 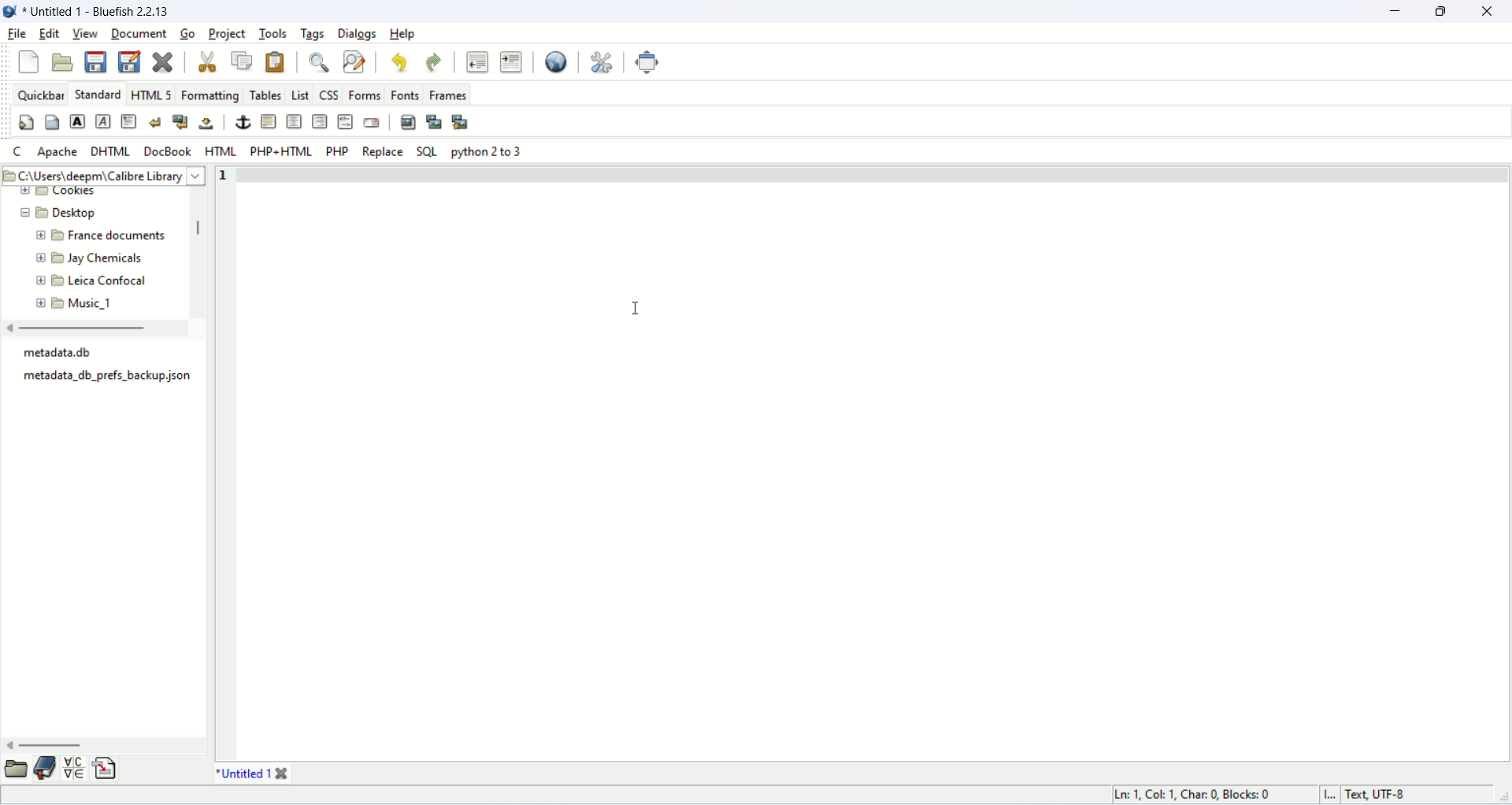 What do you see at coordinates (96, 95) in the screenshot?
I see `standard` at bounding box center [96, 95].